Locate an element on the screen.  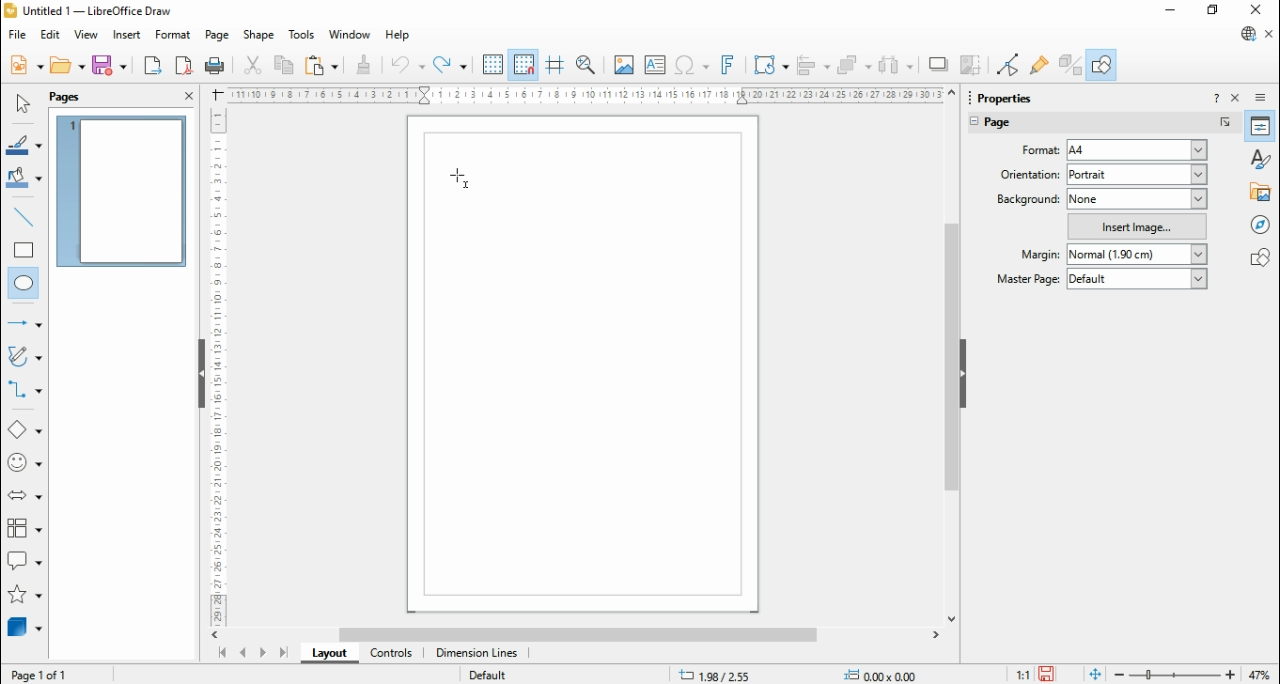
background is located at coordinates (1027, 198).